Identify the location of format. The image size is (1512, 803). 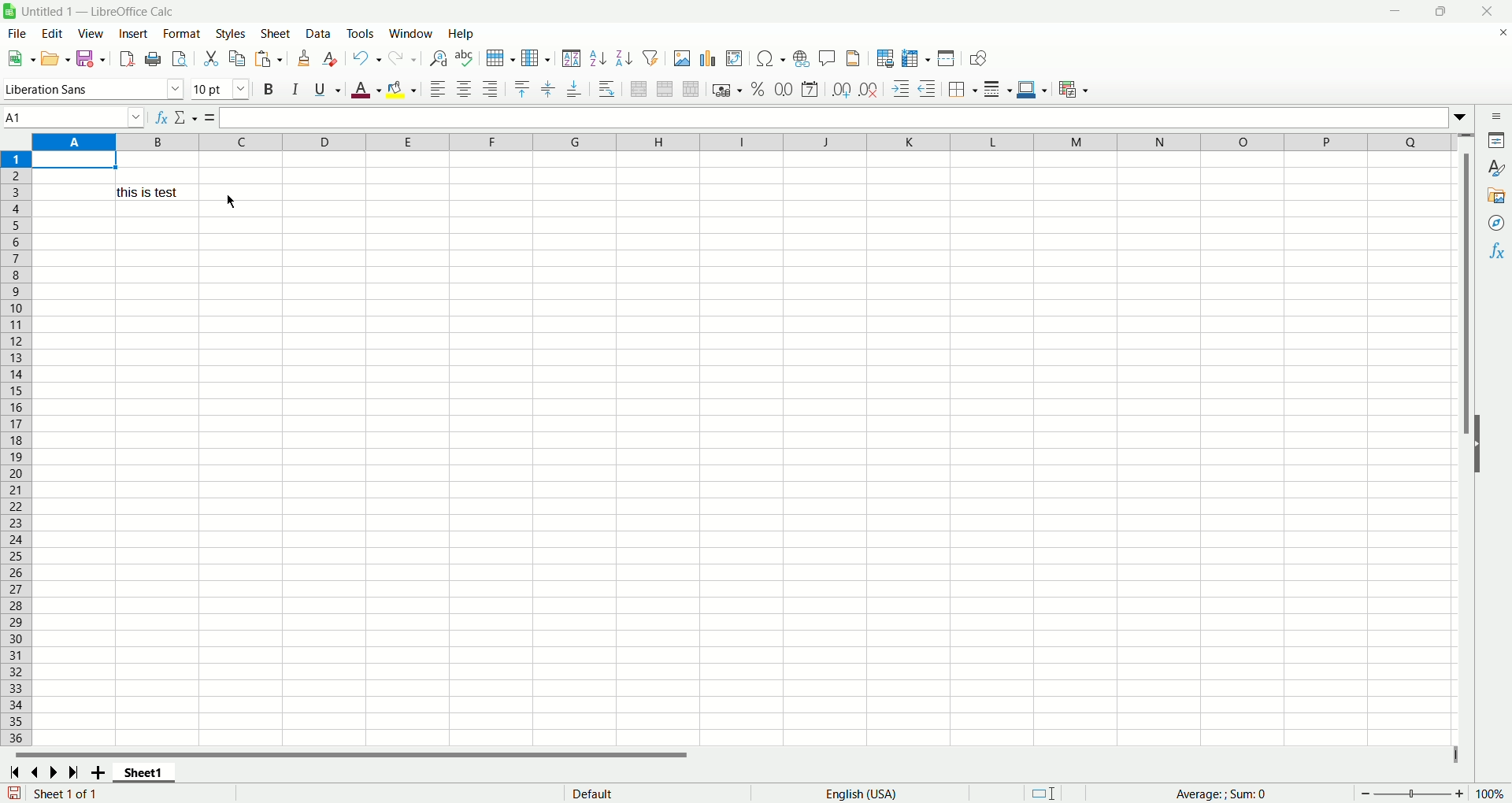
(182, 35).